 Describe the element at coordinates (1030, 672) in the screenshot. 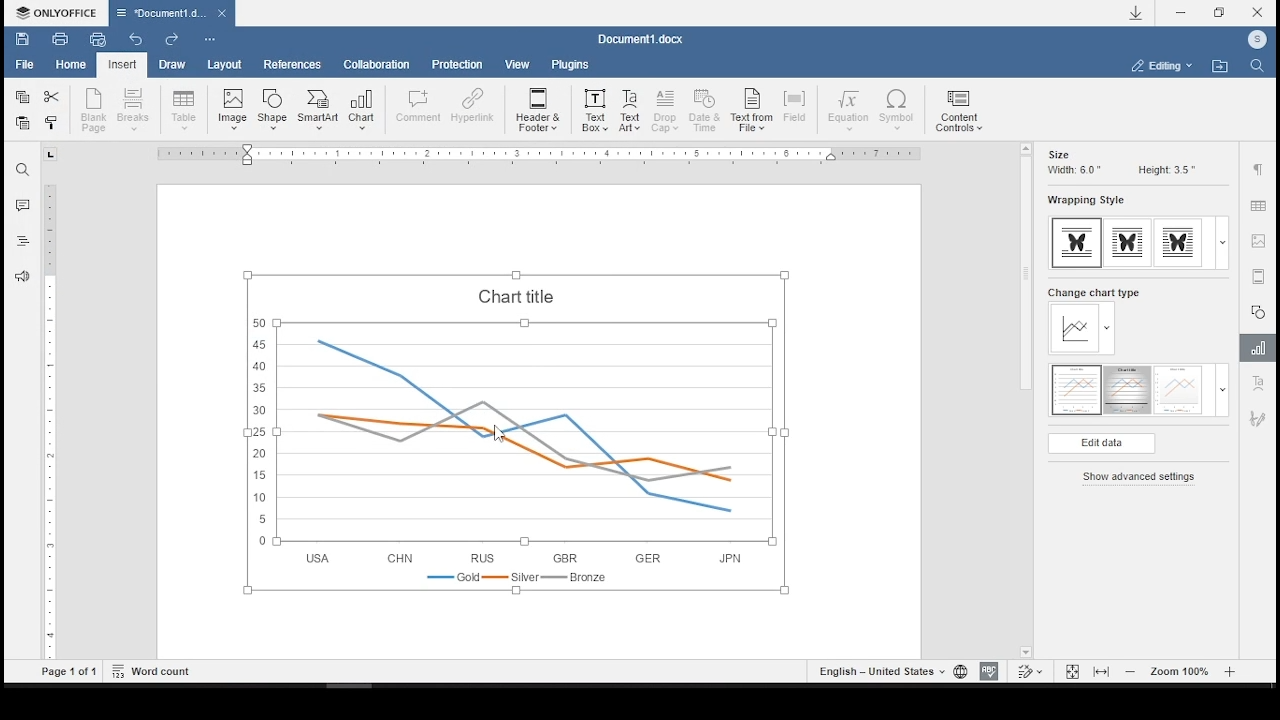

I see `track changes` at that location.